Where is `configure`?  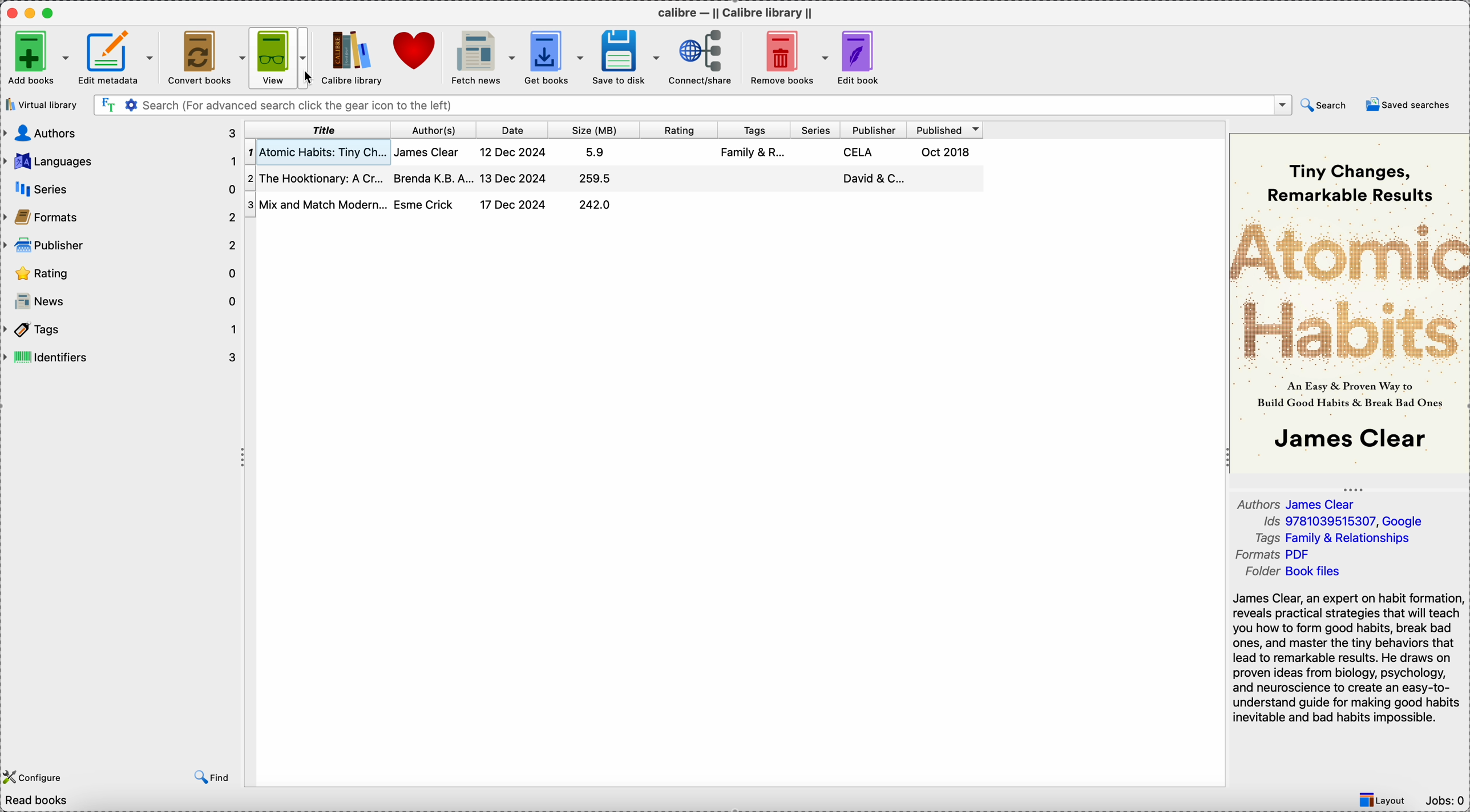 configure is located at coordinates (35, 775).